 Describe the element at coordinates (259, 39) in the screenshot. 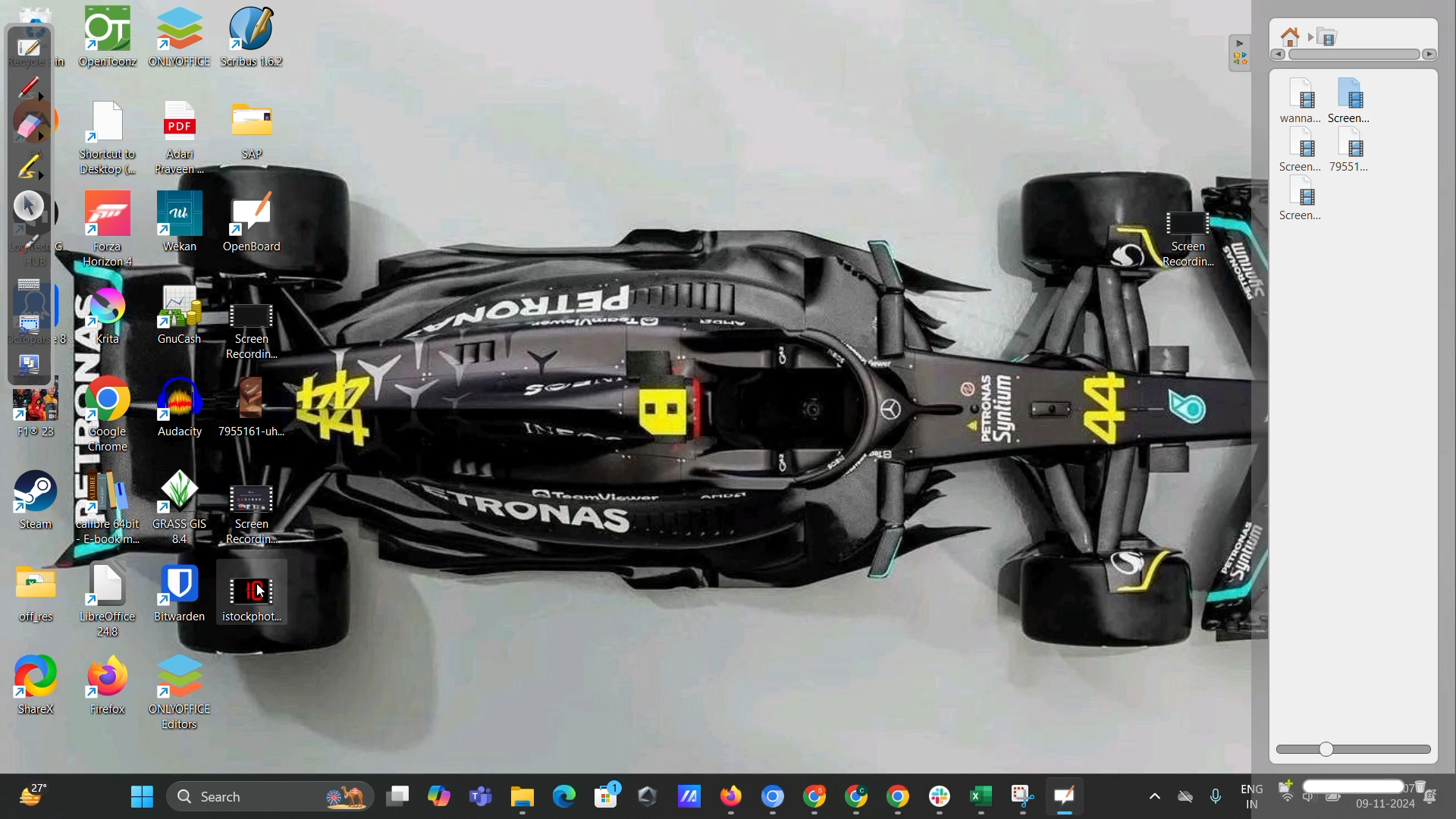

I see `Scribus 1.6.2` at that location.